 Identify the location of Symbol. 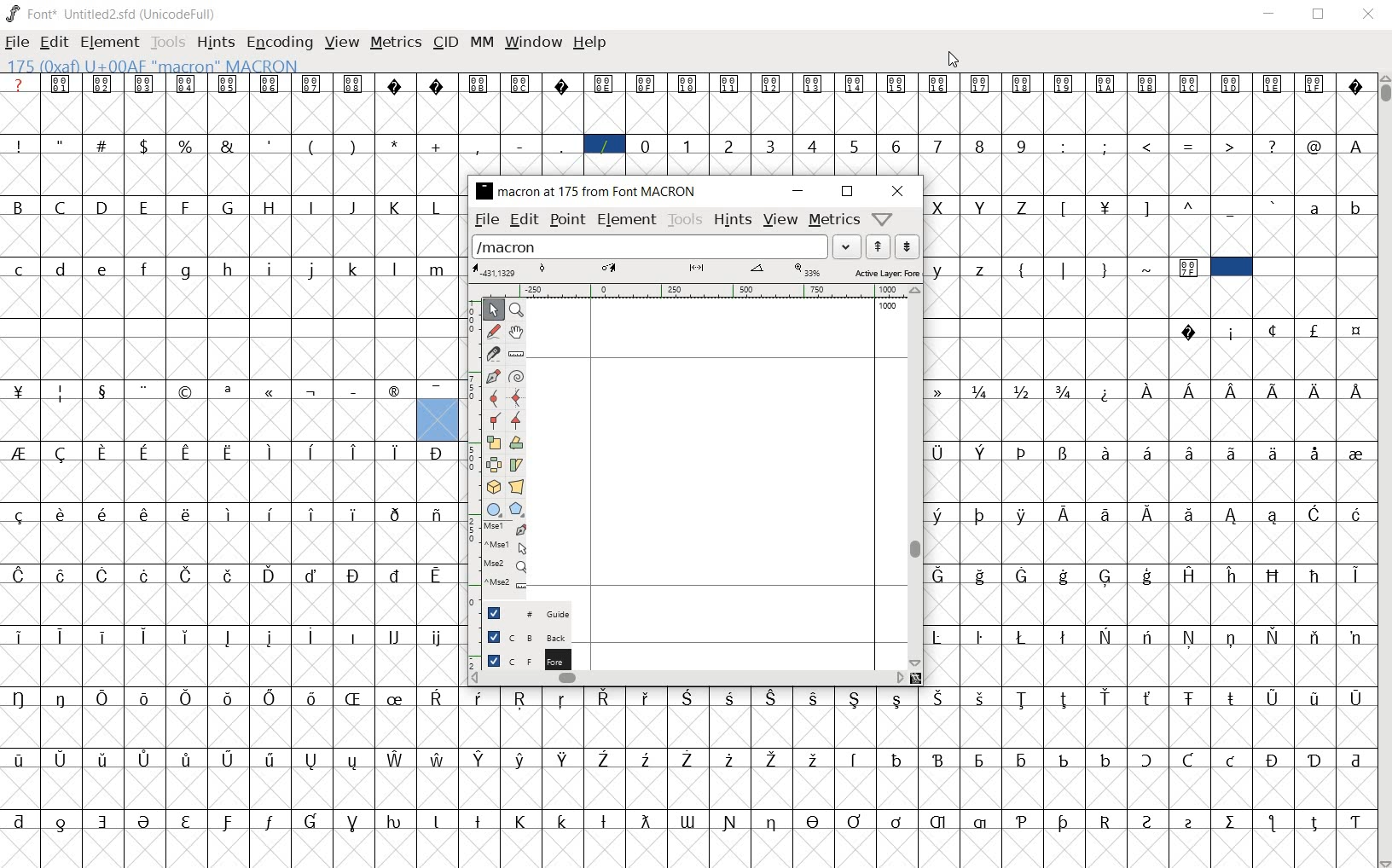
(1189, 821).